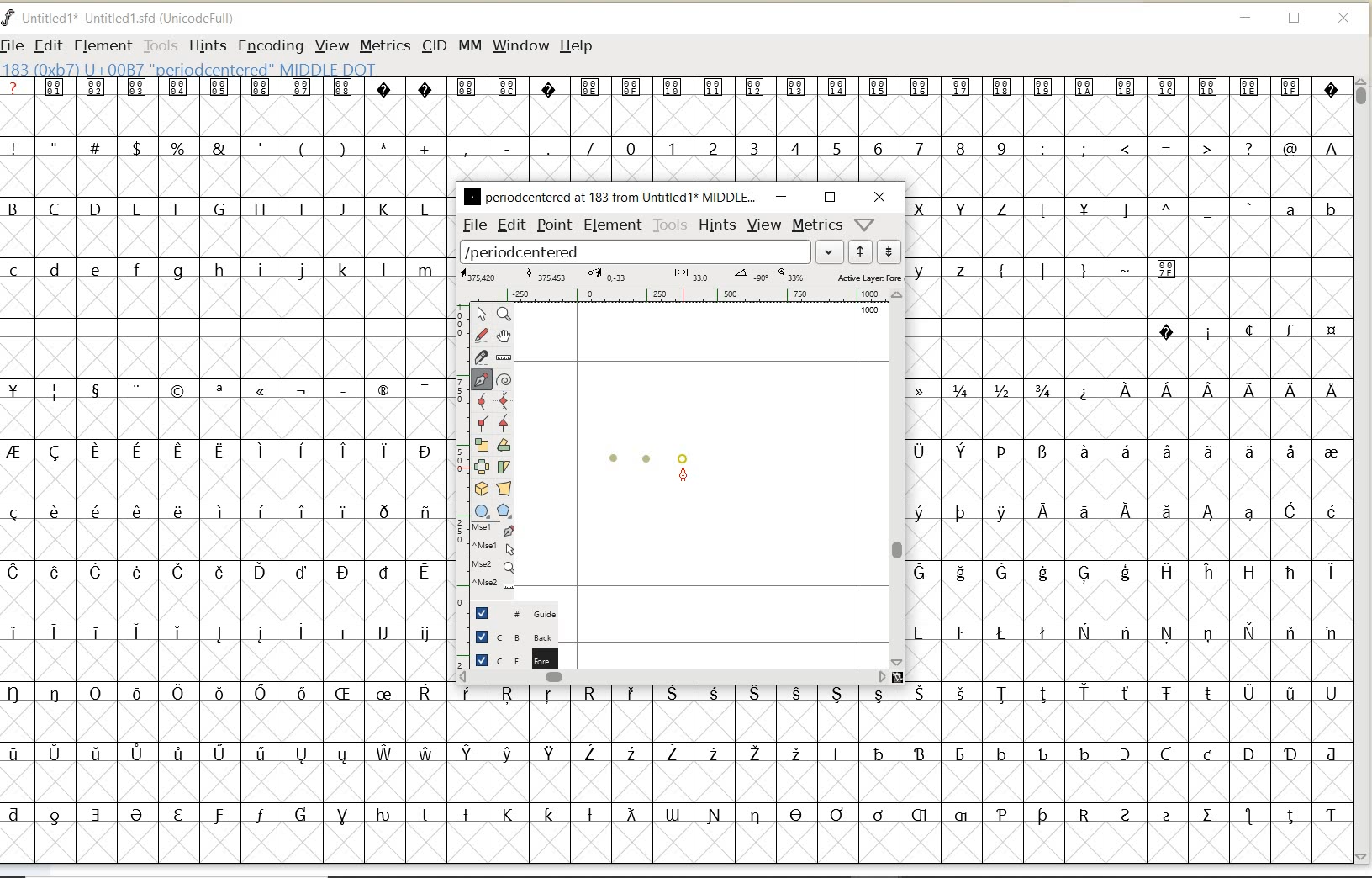 This screenshot has height=878, width=1372. What do you see at coordinates (191, 68) in the screenshot?
I see `glyph info` at bounding box center [191, 68].